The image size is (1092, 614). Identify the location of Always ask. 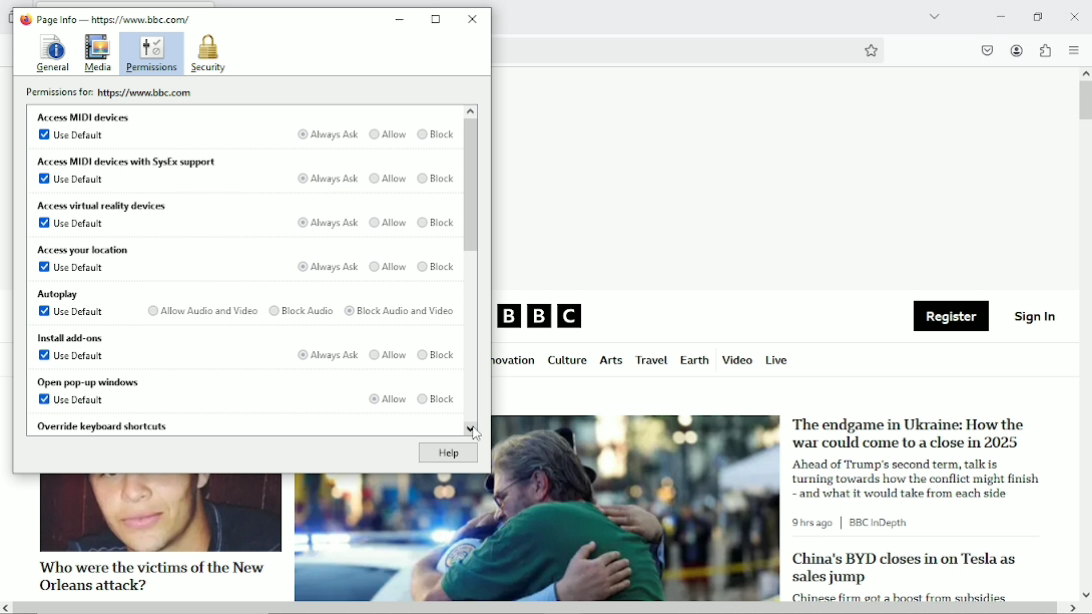
(328, 355).